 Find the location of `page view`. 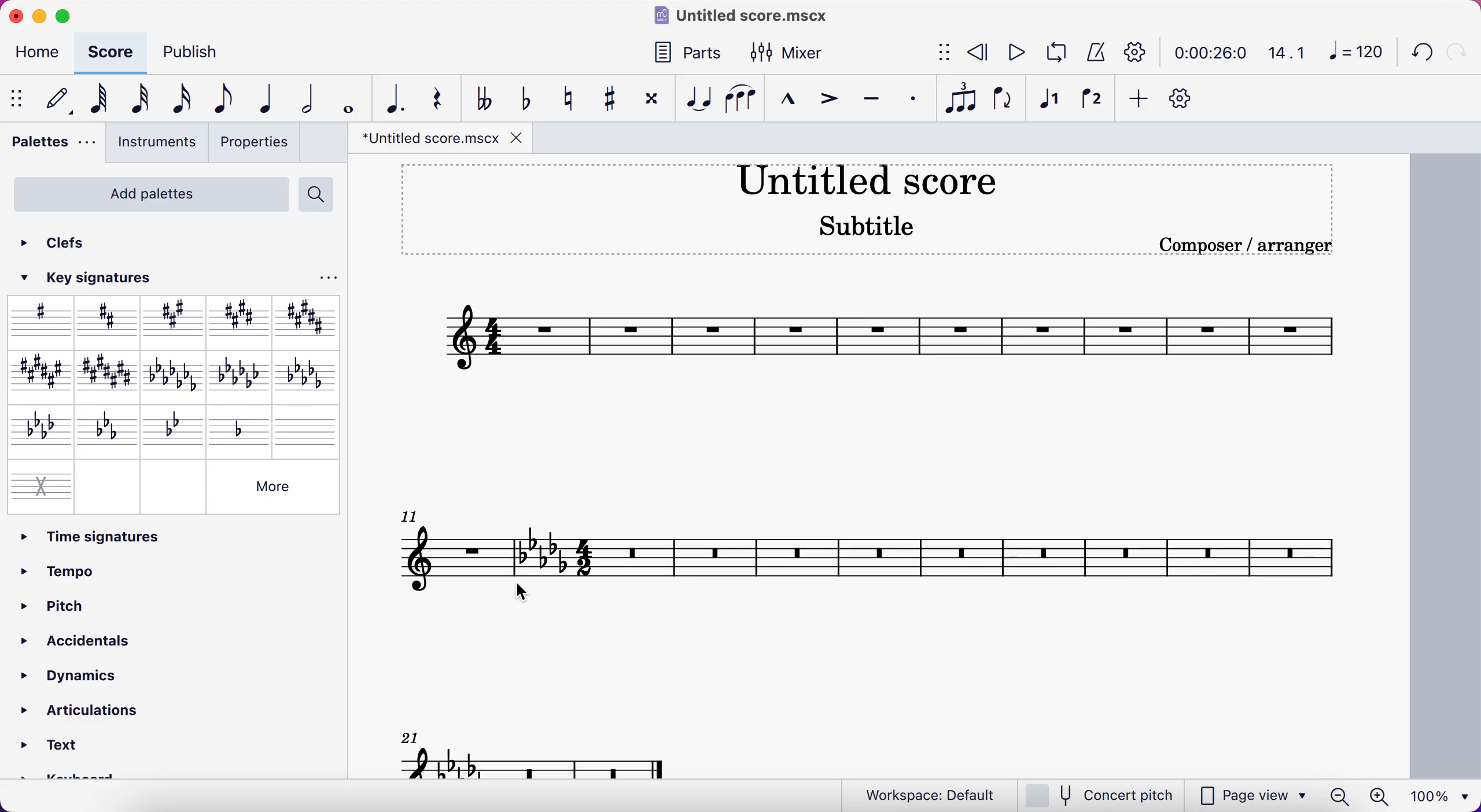

page view is located at coordinates (1251, 795).